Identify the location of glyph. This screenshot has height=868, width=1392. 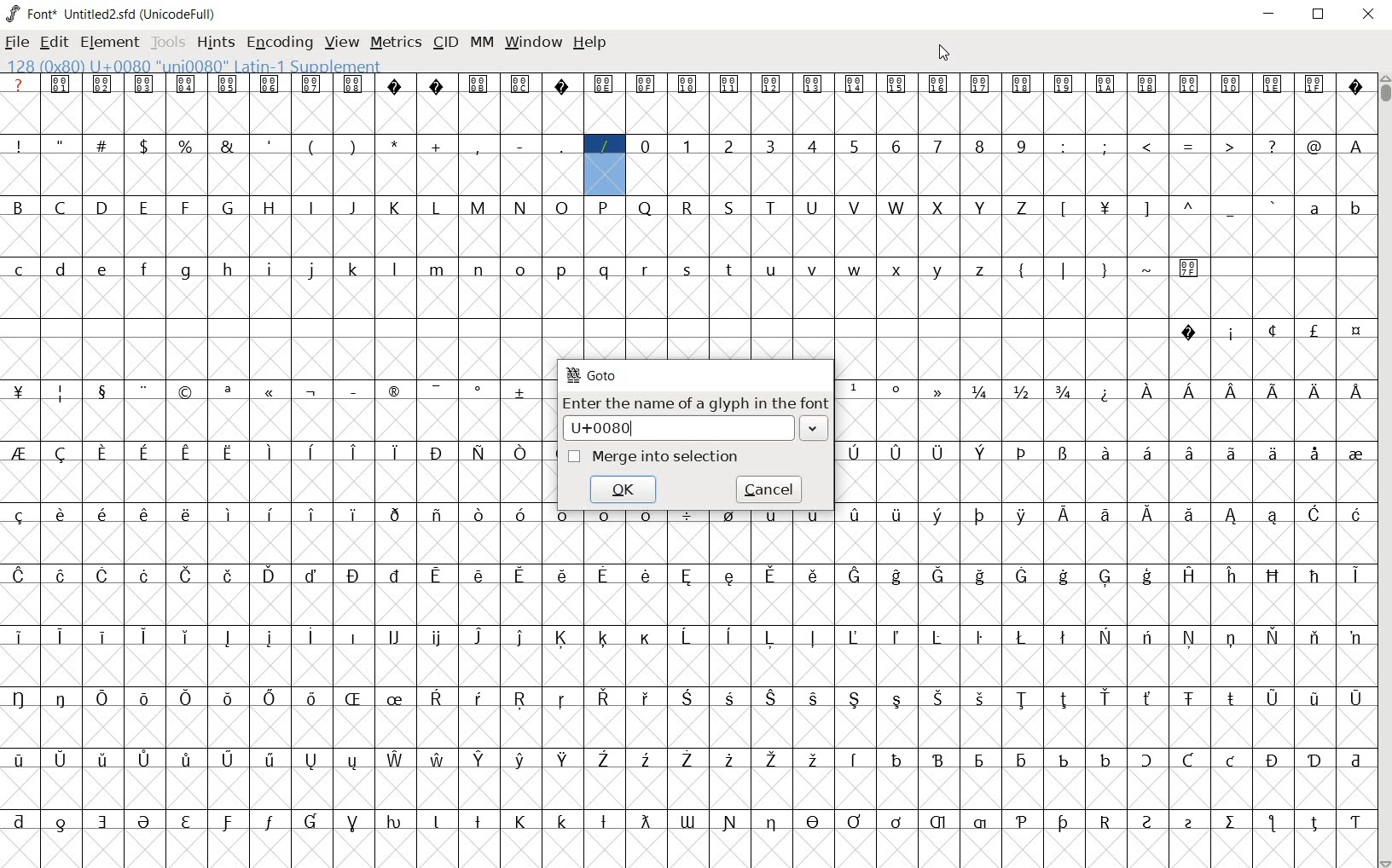
(143, 454).